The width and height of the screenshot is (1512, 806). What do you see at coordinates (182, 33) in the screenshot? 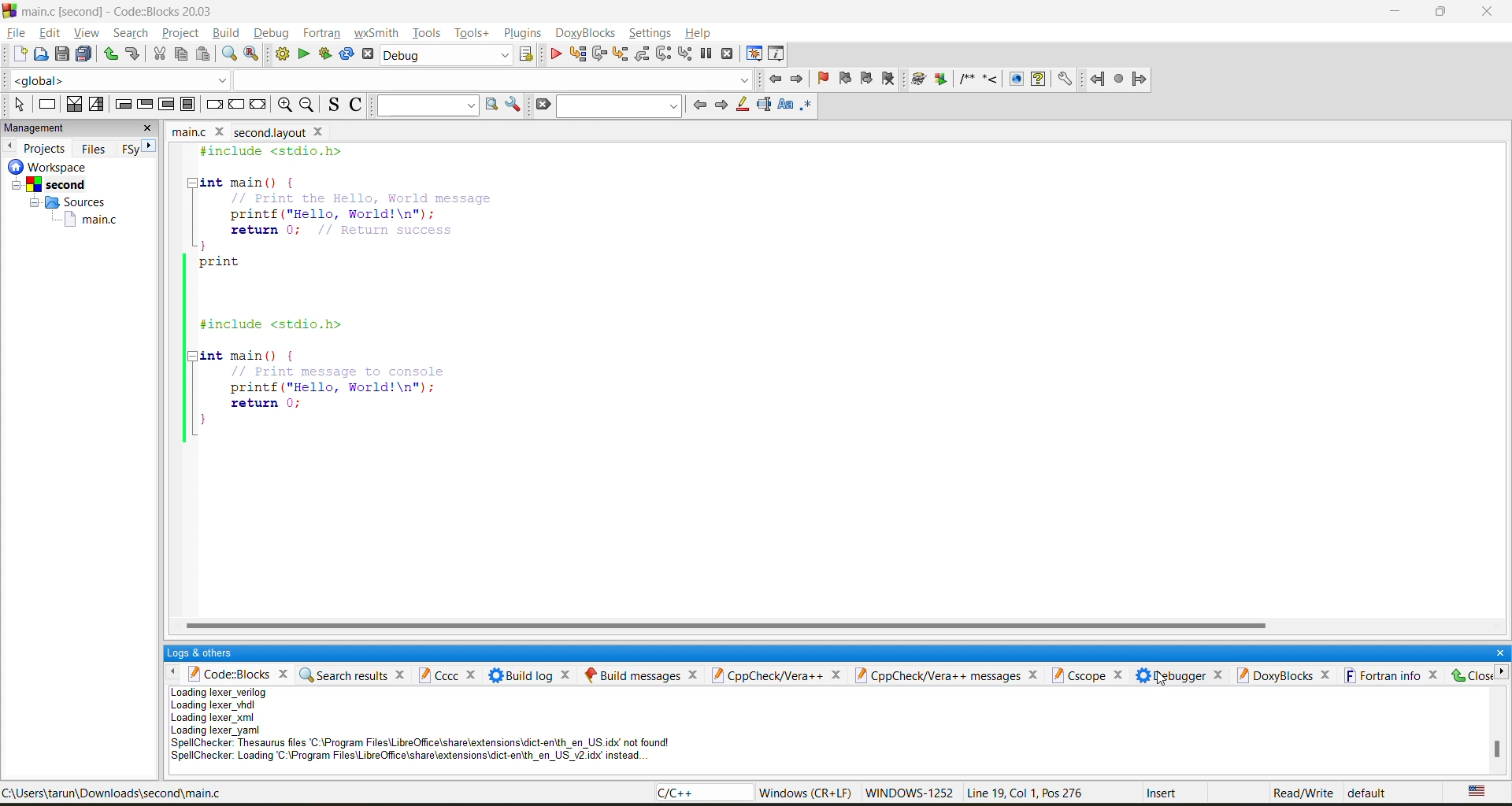
I see `project` at bounding box center [182, 33].